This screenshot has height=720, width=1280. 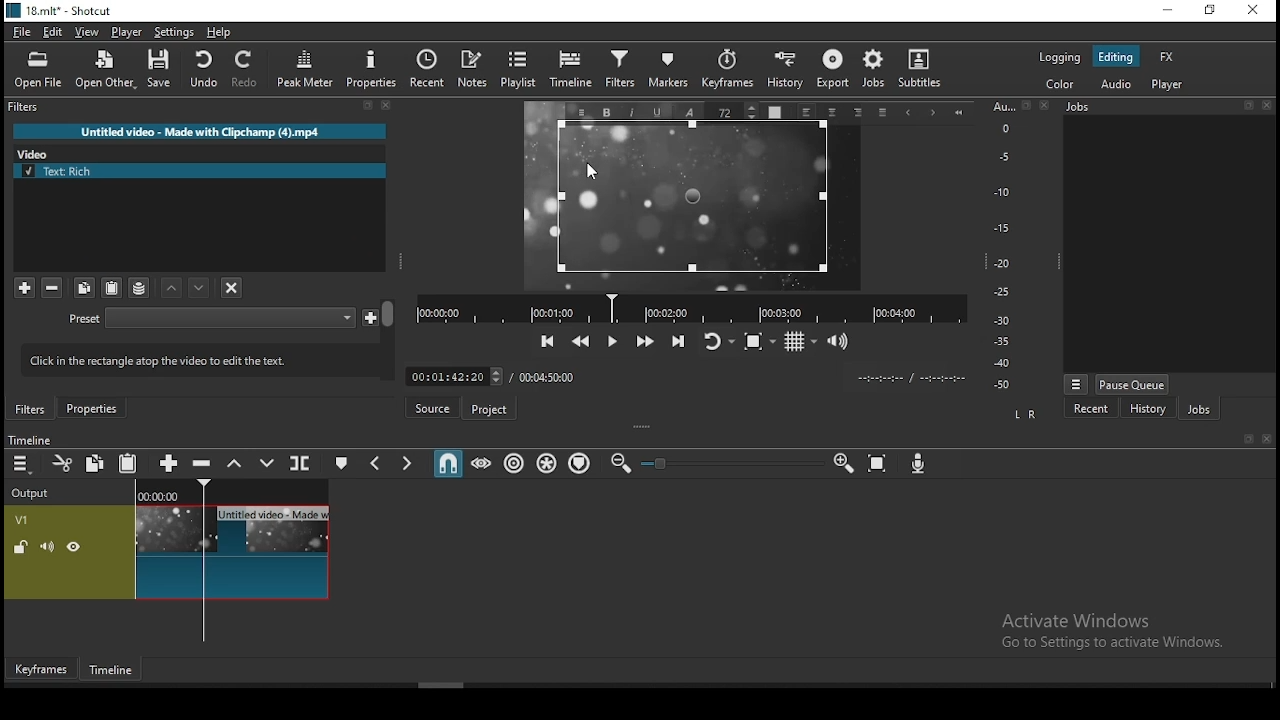 I want to click on notes, so click(x=473, y=70).